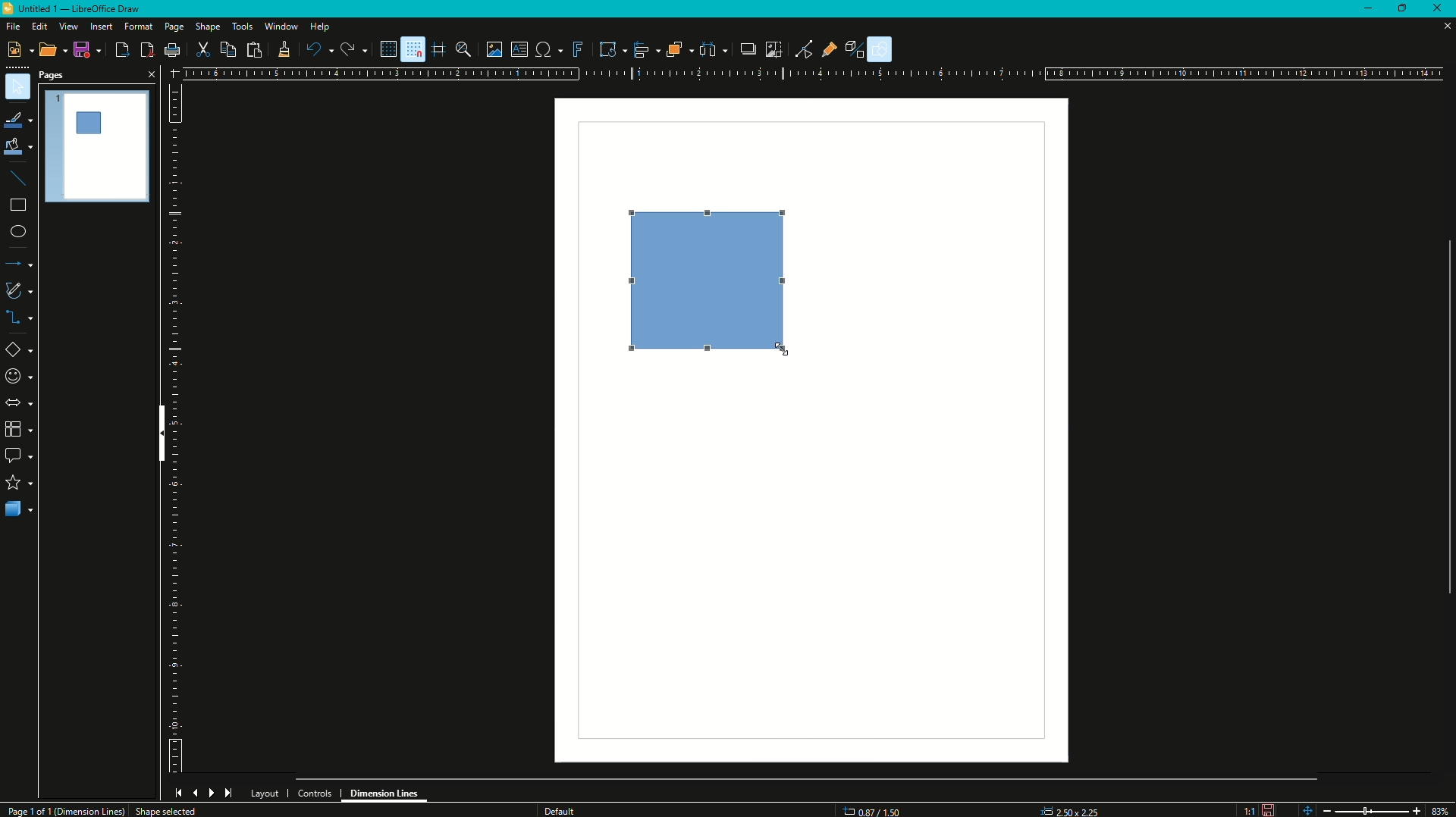 The width and height of the screenshot is (1456, 817). I want to click on Edit, so click(39, 27).